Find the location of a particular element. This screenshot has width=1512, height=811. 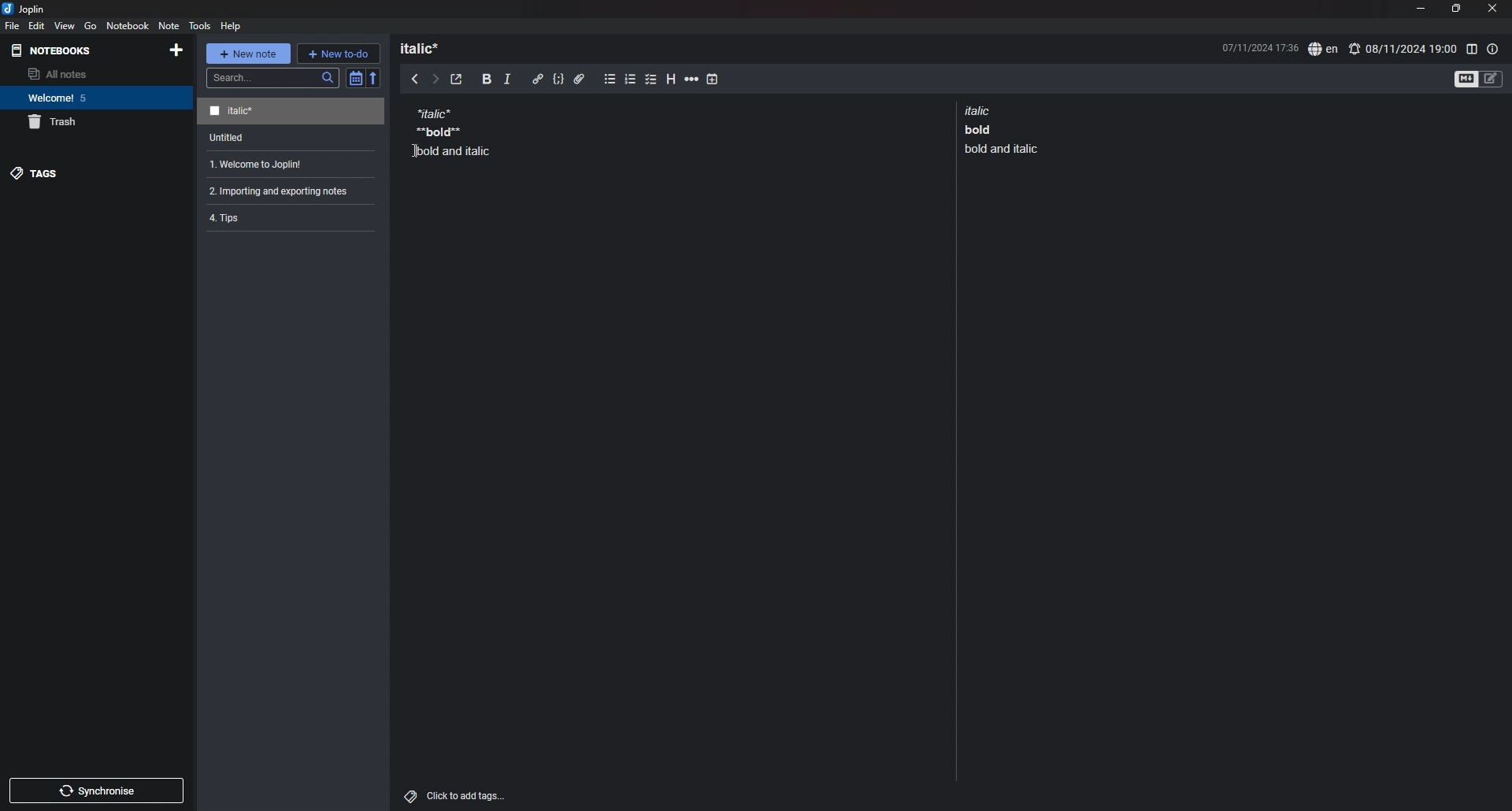

all notes is located at coordinates (92, 74).